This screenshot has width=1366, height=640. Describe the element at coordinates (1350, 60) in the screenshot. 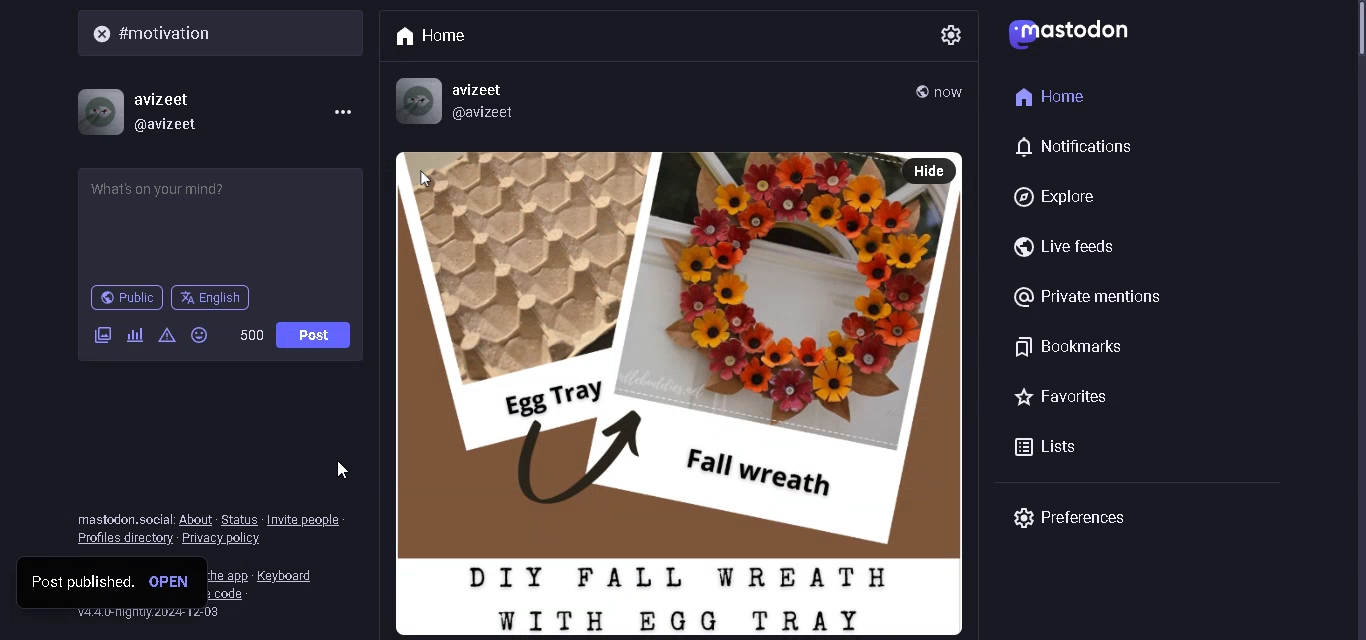

I see `Scroll` at that location.